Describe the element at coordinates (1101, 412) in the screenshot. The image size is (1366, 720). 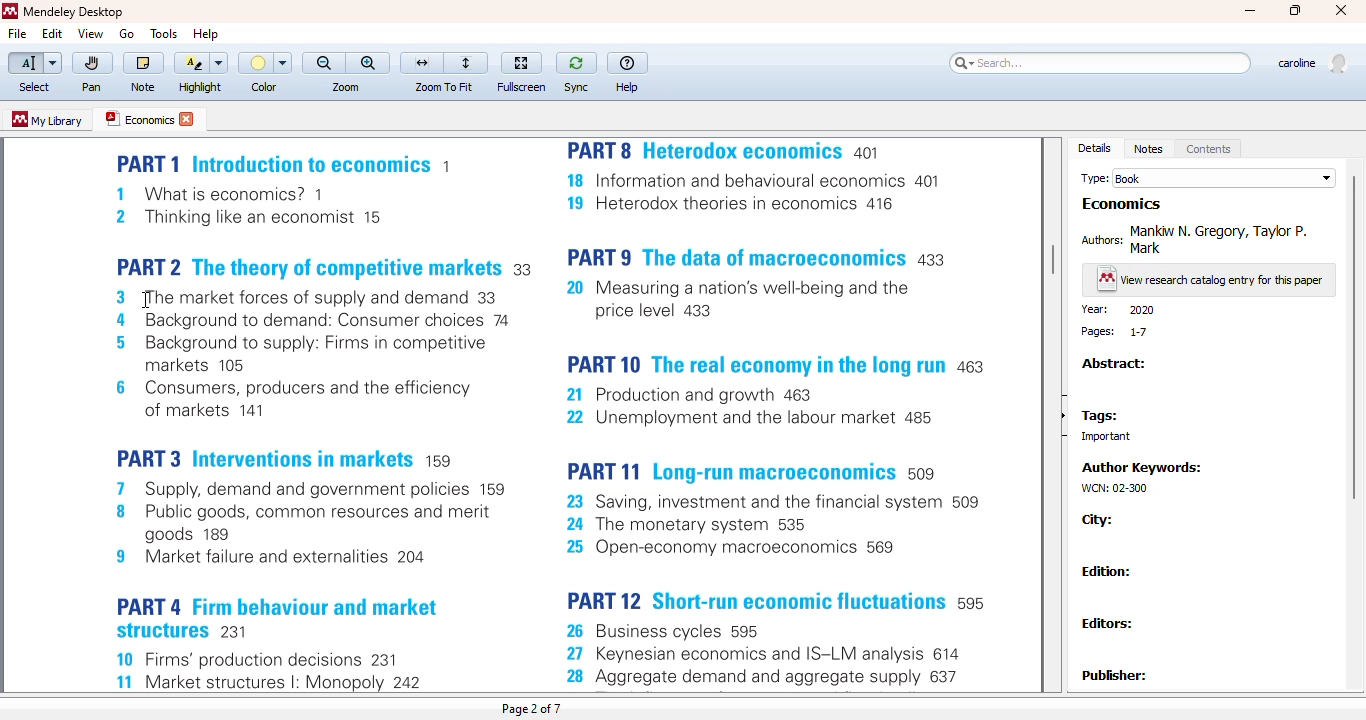
I see `Tags:` at that location.